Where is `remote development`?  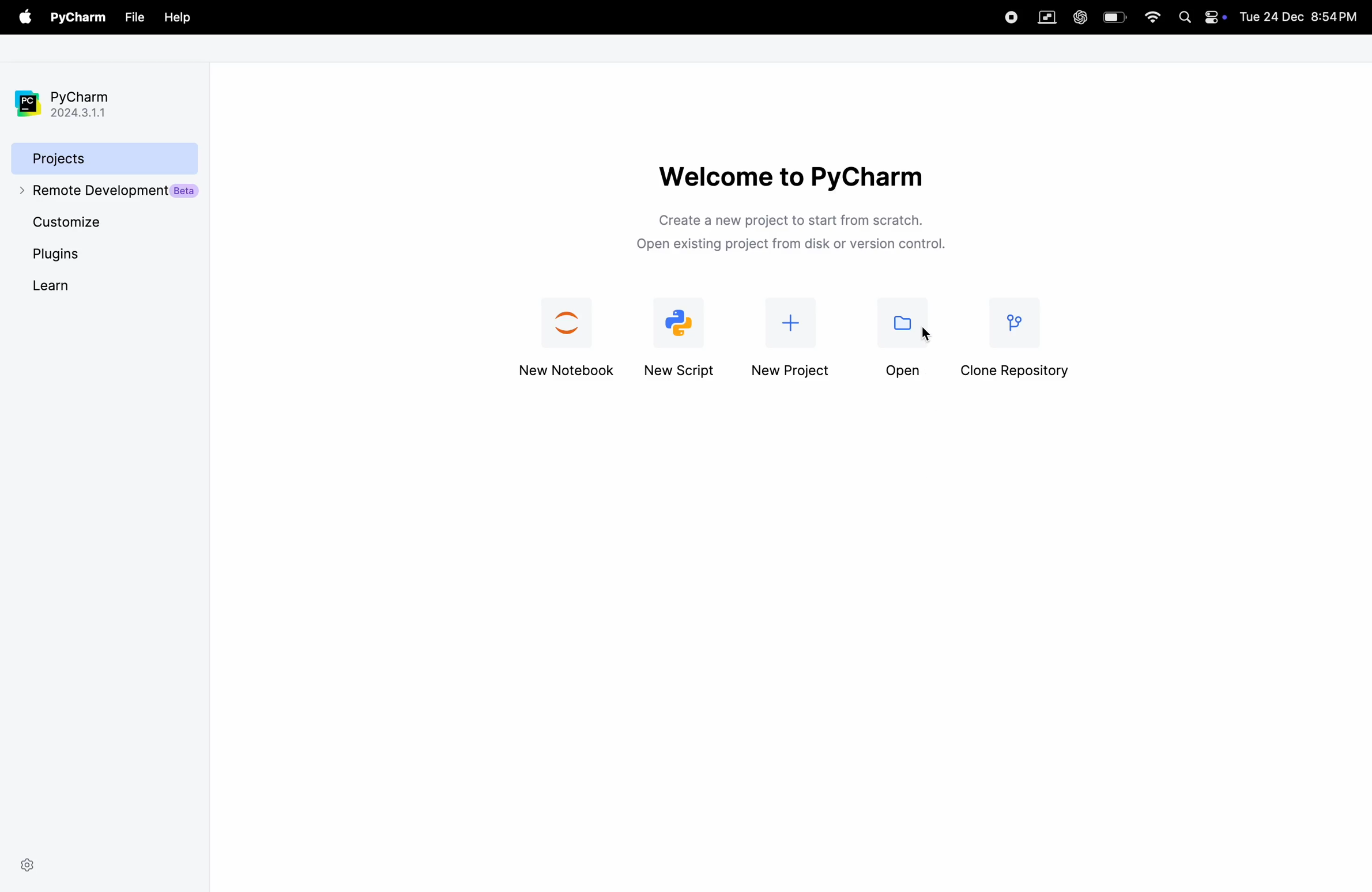
remote development is located at coordinates (105, 190).